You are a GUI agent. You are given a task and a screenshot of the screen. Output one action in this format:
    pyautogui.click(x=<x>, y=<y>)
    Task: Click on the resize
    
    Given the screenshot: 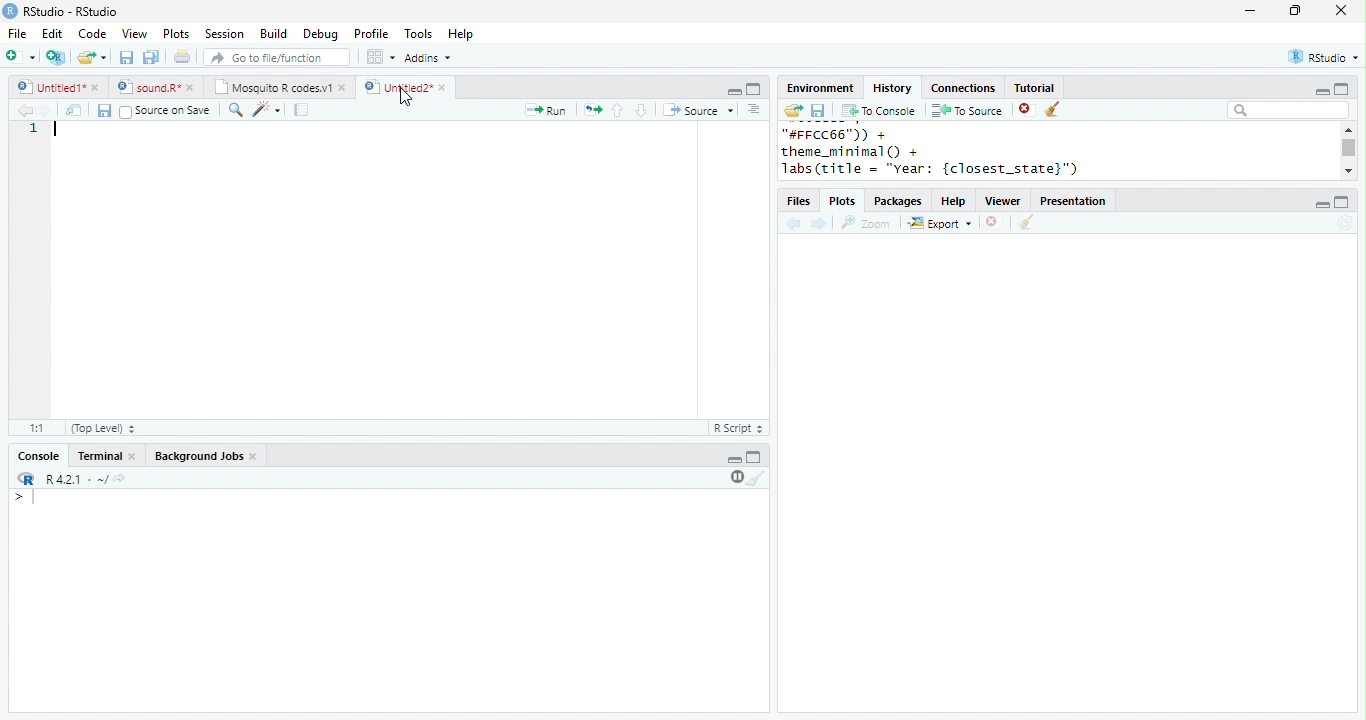 What is the action you would take?
    pyautogui.click(x=1295, y=11)
    